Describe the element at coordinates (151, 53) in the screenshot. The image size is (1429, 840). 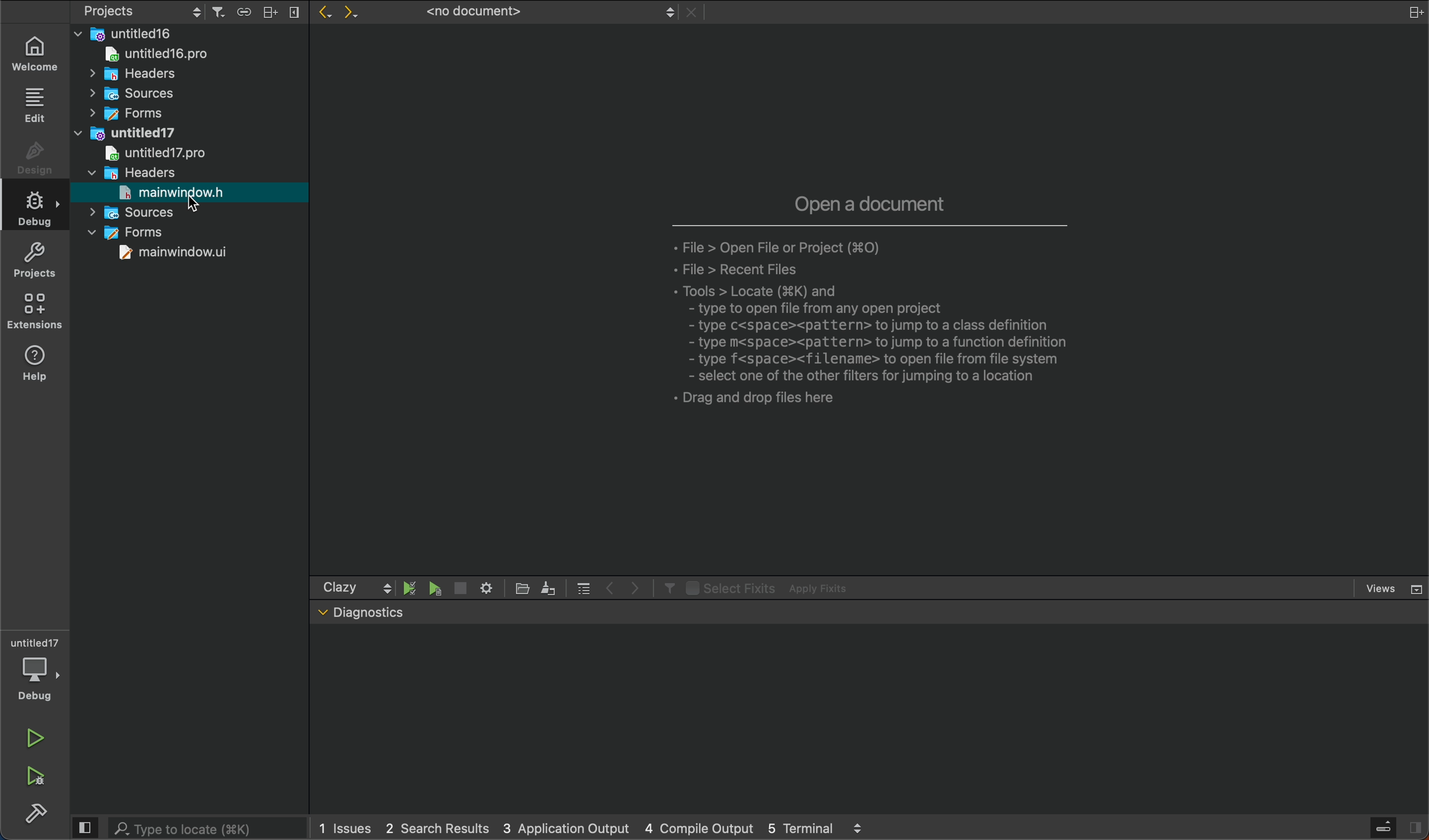
I see `untitled16.pro` at that location.